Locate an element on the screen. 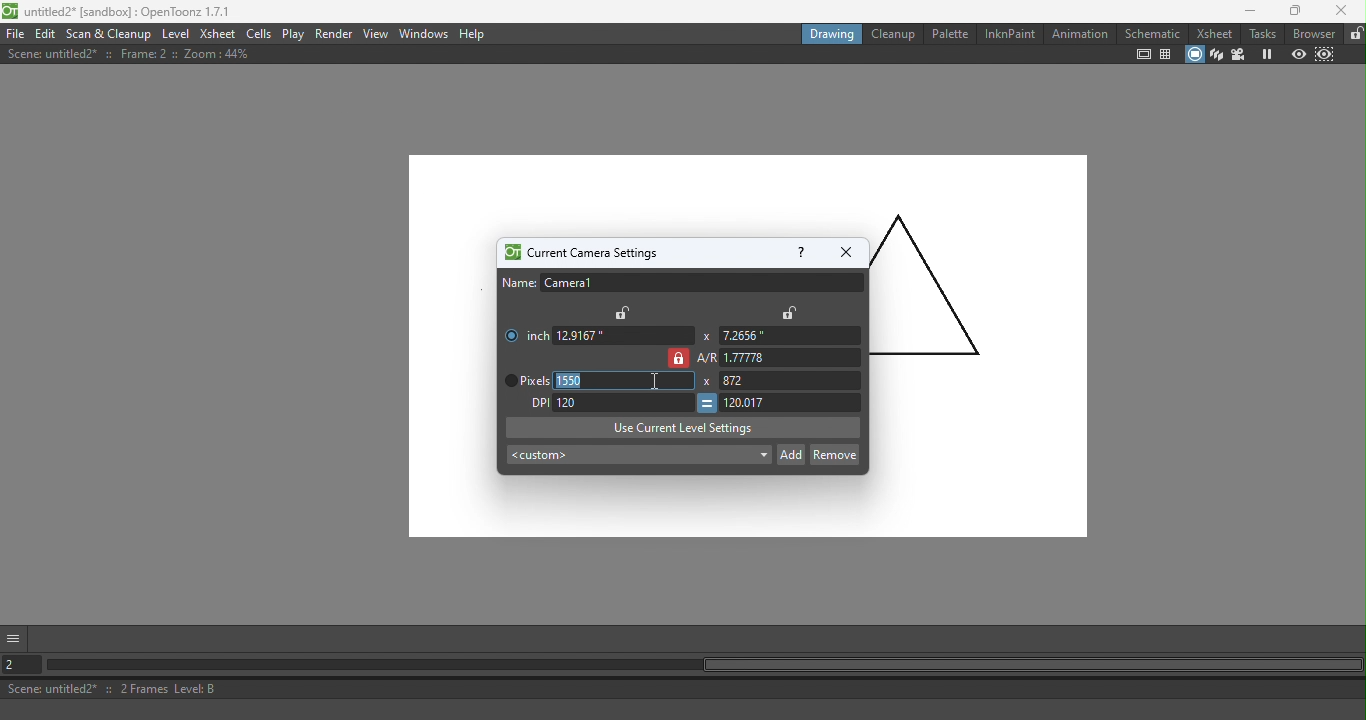  Enter dimension is located at coordinates (787, 336).